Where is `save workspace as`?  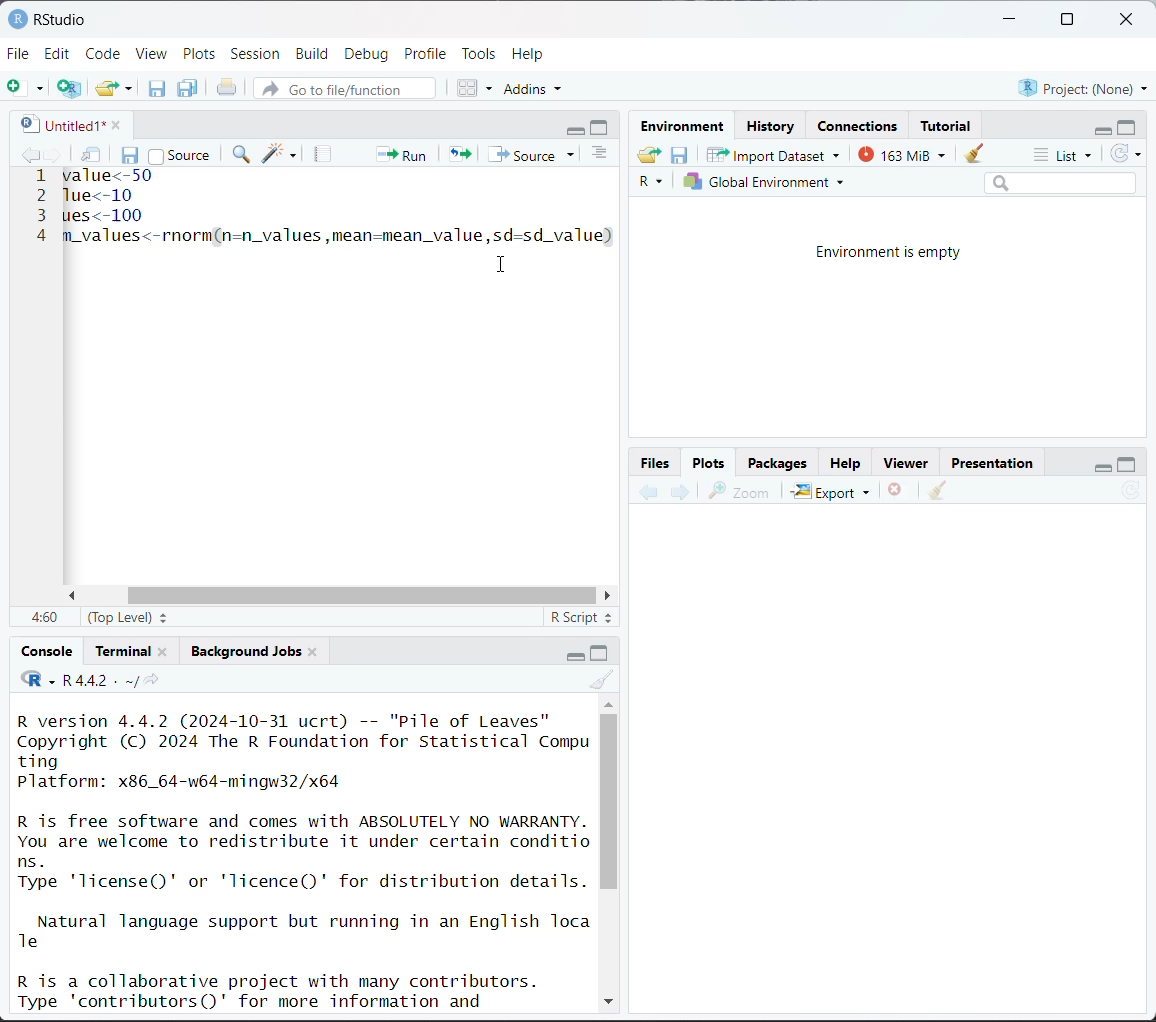 save workspace as is located at coordinates (680, 156).